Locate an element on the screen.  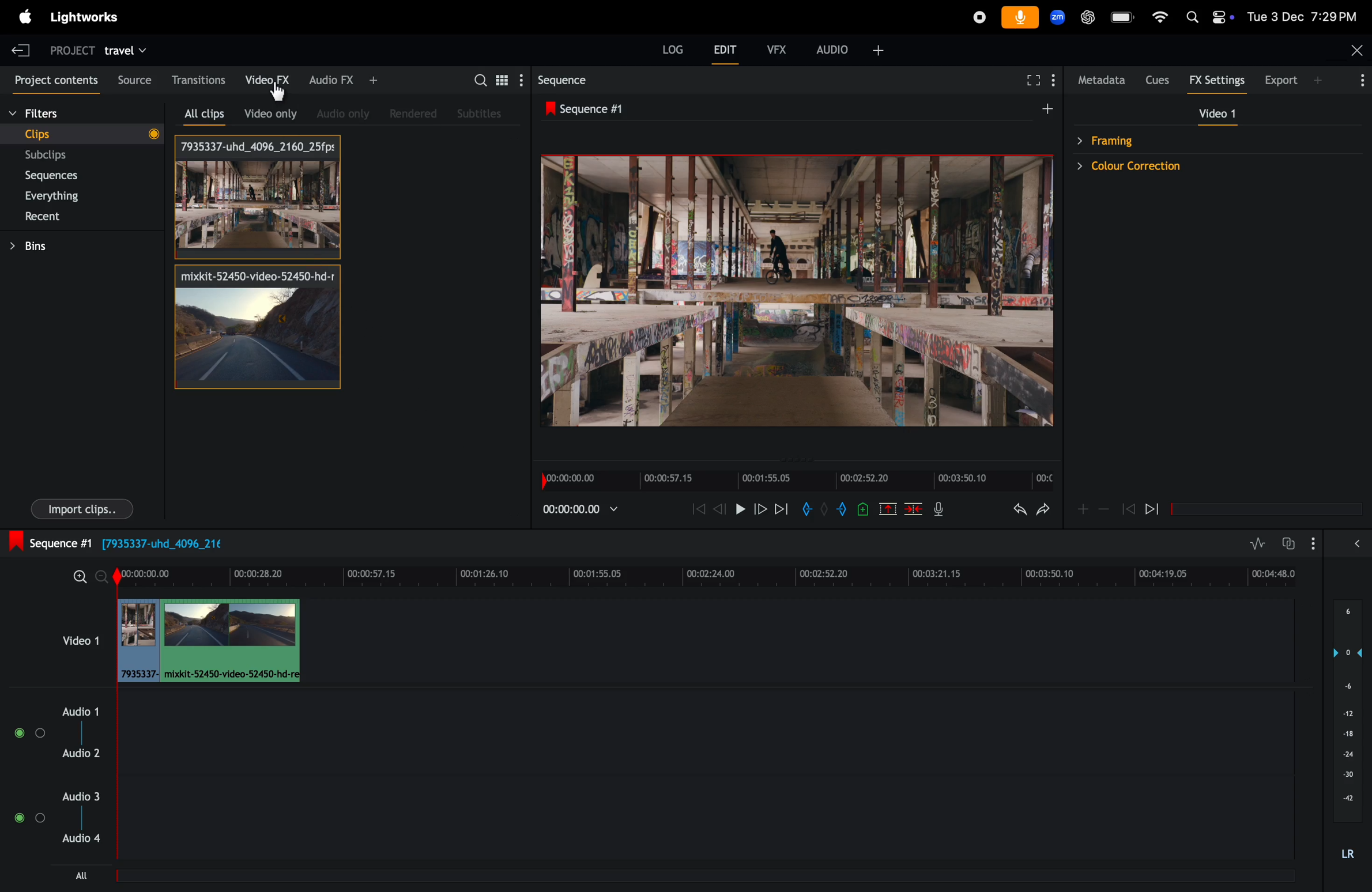
play back time is located at coordinates (578, 511).